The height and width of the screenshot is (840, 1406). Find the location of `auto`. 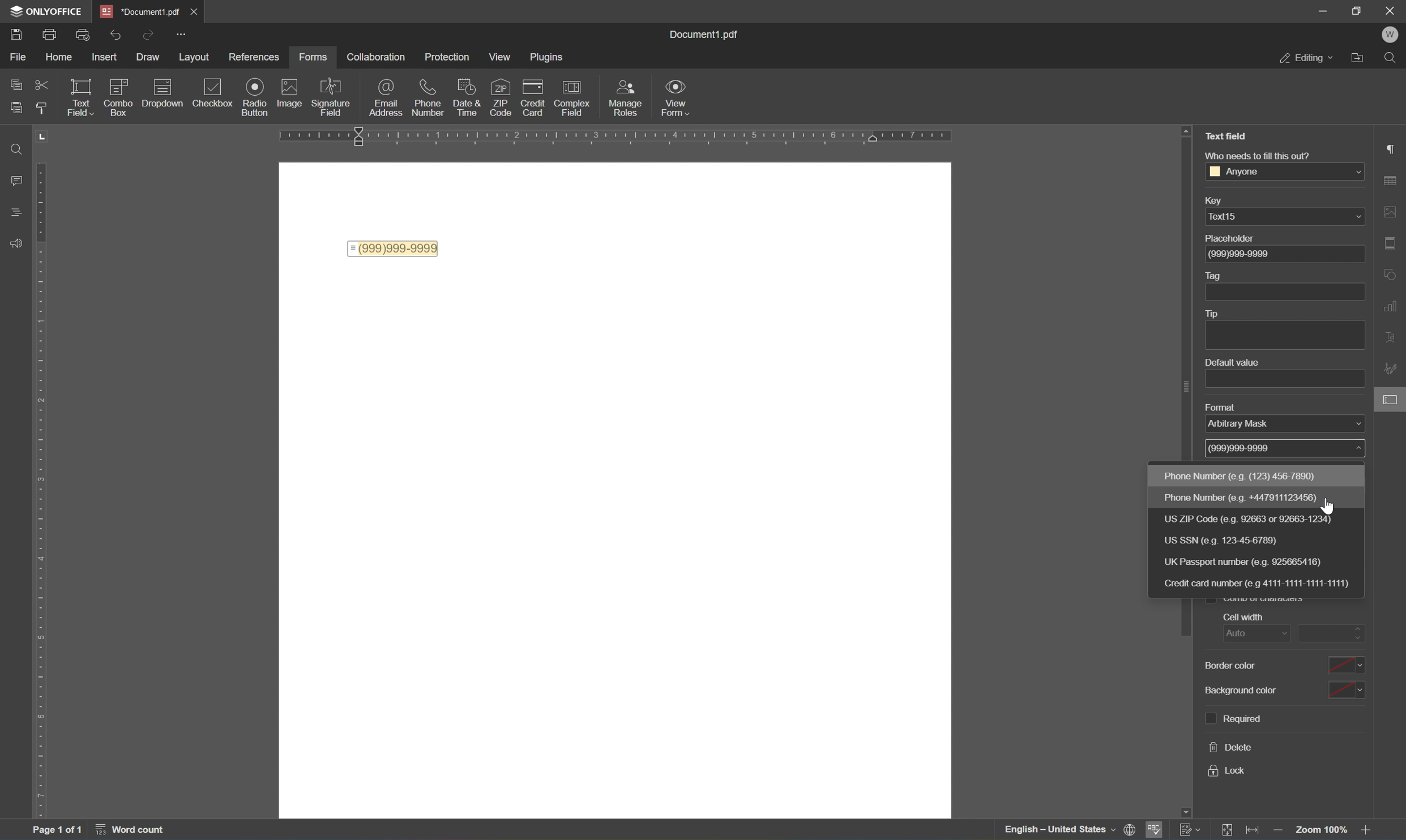

auto is located at coordinates (1247, 635).